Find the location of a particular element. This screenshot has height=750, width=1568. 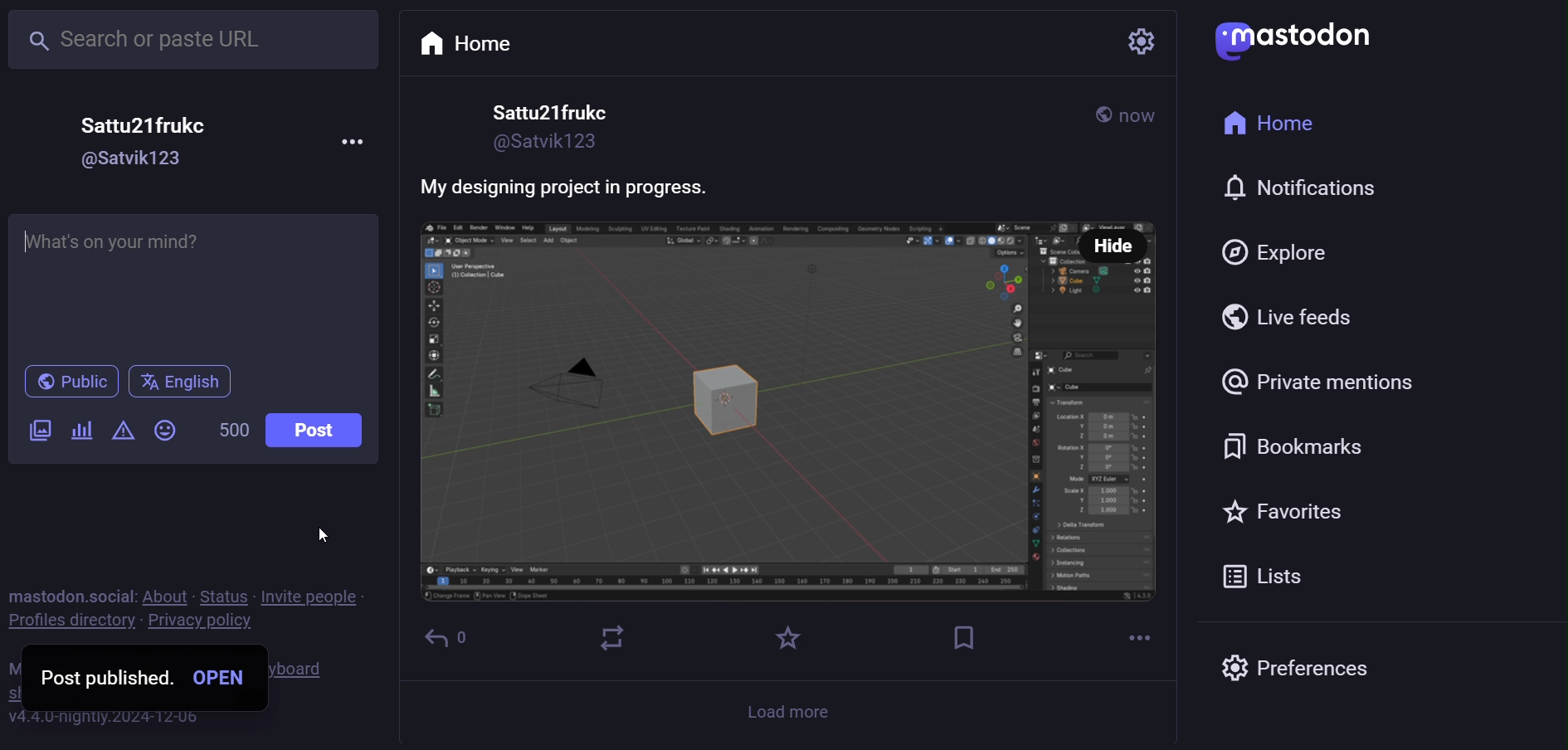

post is located at coordinates (318, 428).